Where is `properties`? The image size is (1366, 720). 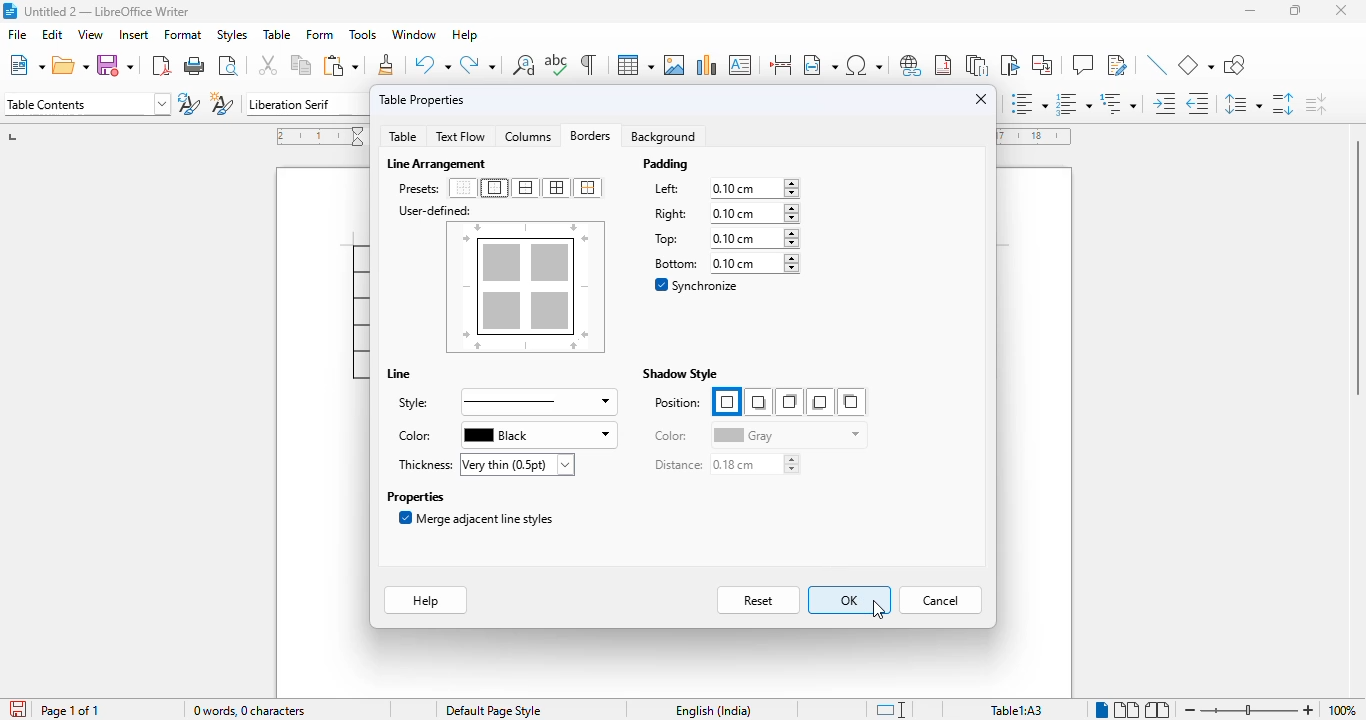
properties is located at coordinates (415, 496).